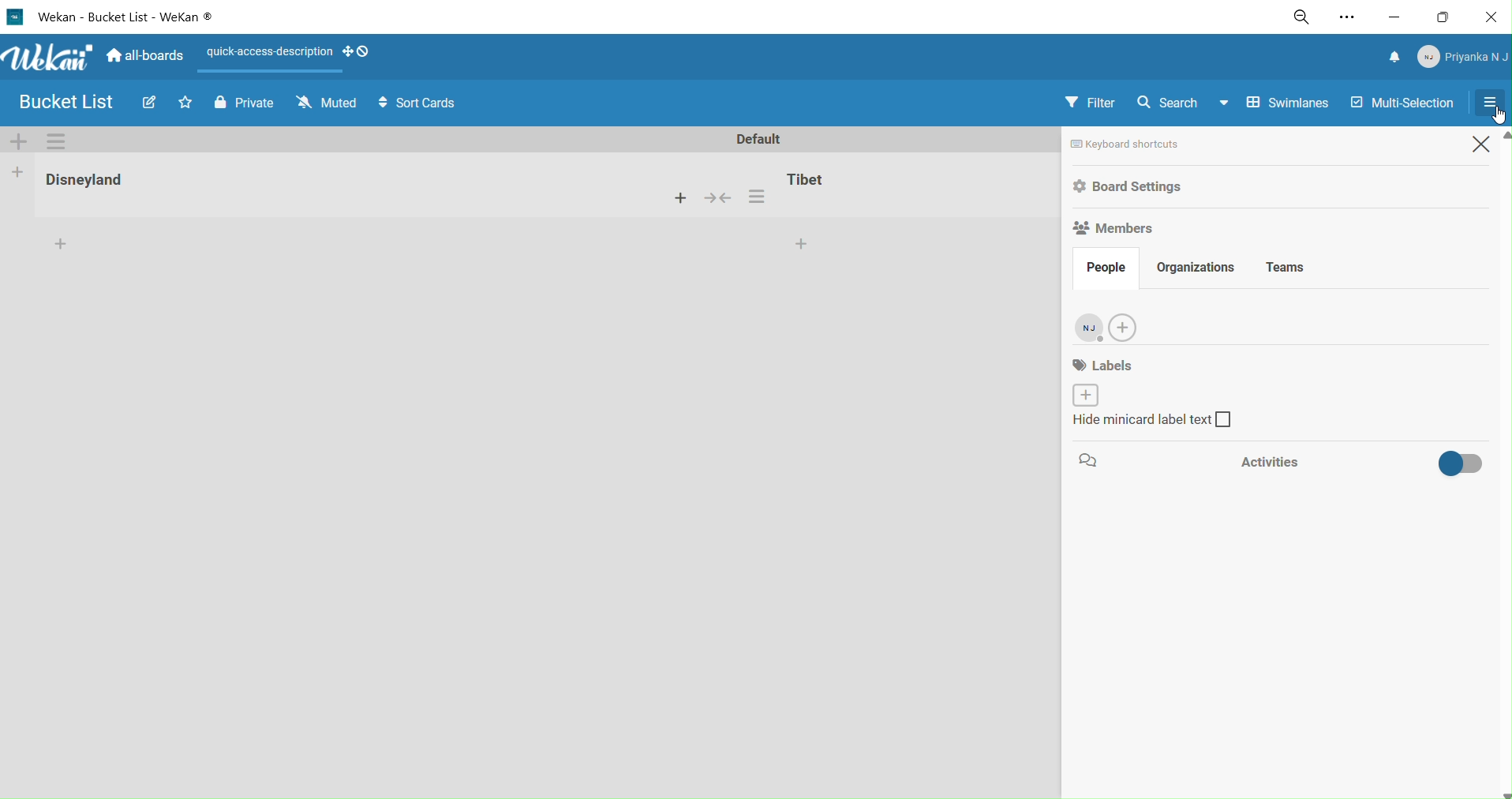  I want to click on home, so click(154, 54).